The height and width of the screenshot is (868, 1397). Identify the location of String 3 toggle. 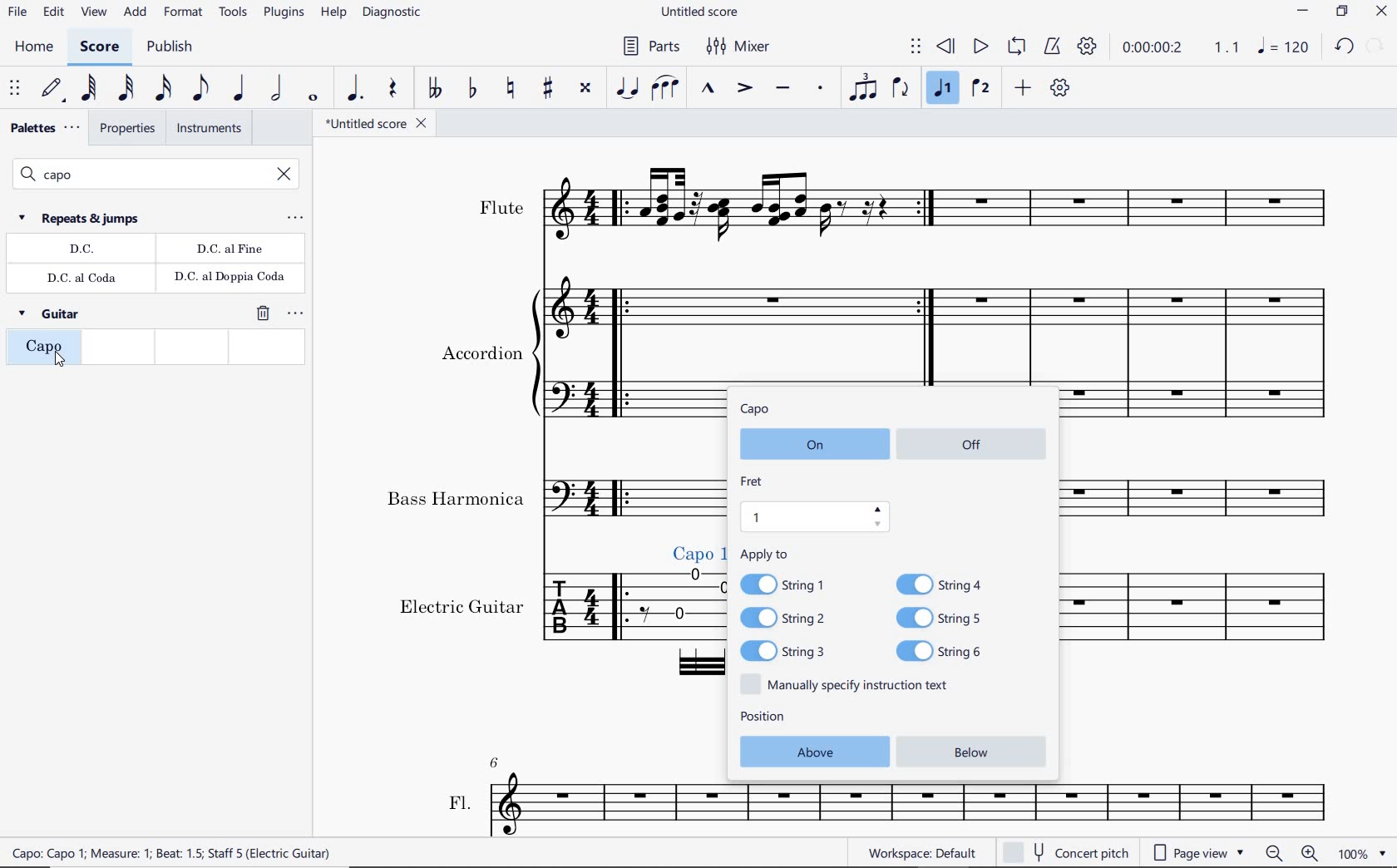
(797, 651).